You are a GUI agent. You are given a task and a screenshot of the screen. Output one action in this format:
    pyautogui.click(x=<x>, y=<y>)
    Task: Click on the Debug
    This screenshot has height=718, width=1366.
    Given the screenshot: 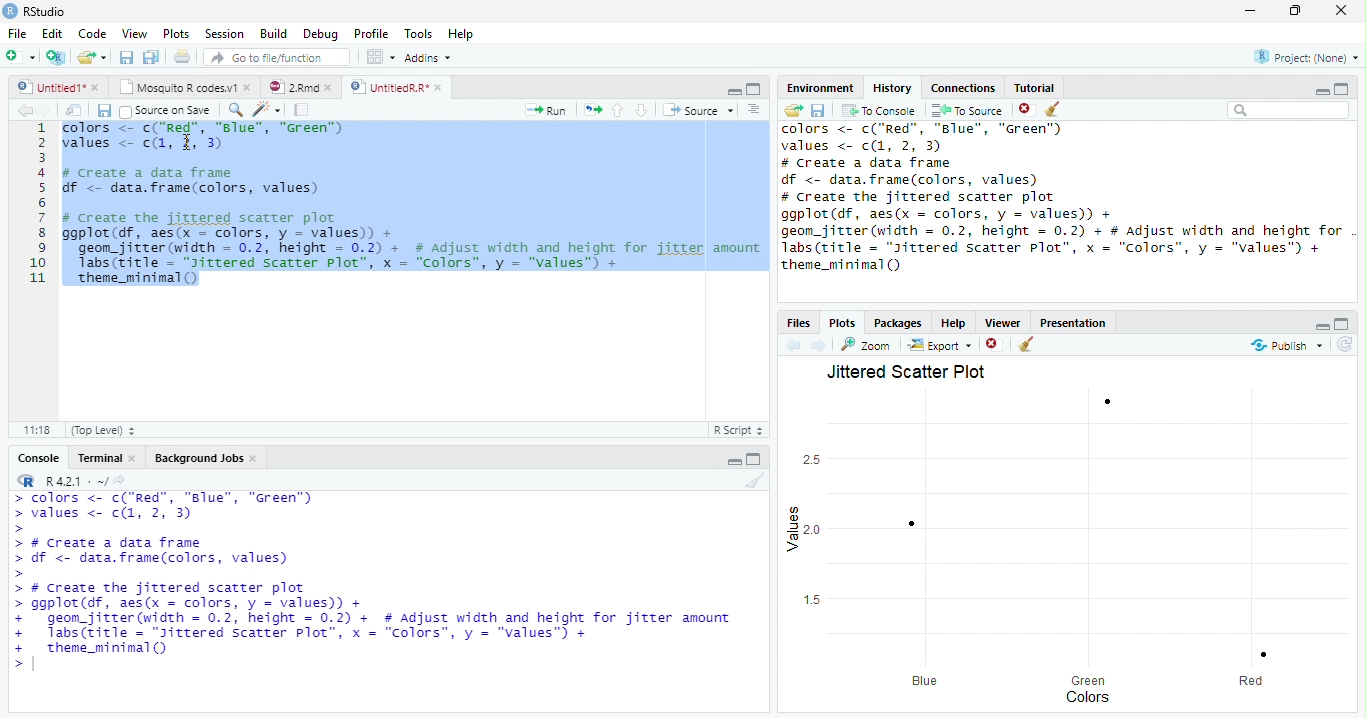 What is the action you would take?
    pyautogui.click(x=320, y=34)
    